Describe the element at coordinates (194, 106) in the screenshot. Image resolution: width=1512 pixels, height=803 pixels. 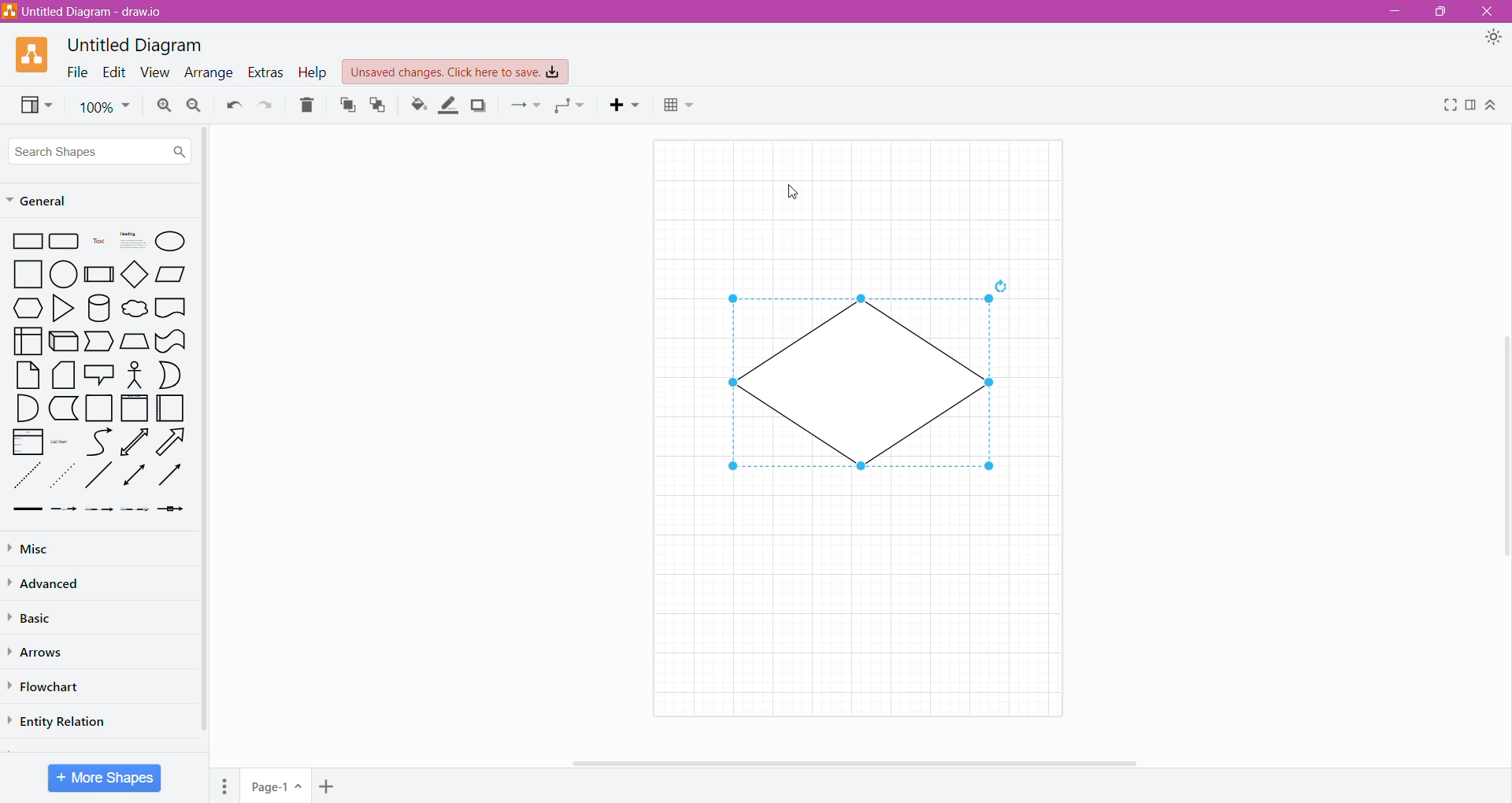
I see `Zoom Out` at that location.